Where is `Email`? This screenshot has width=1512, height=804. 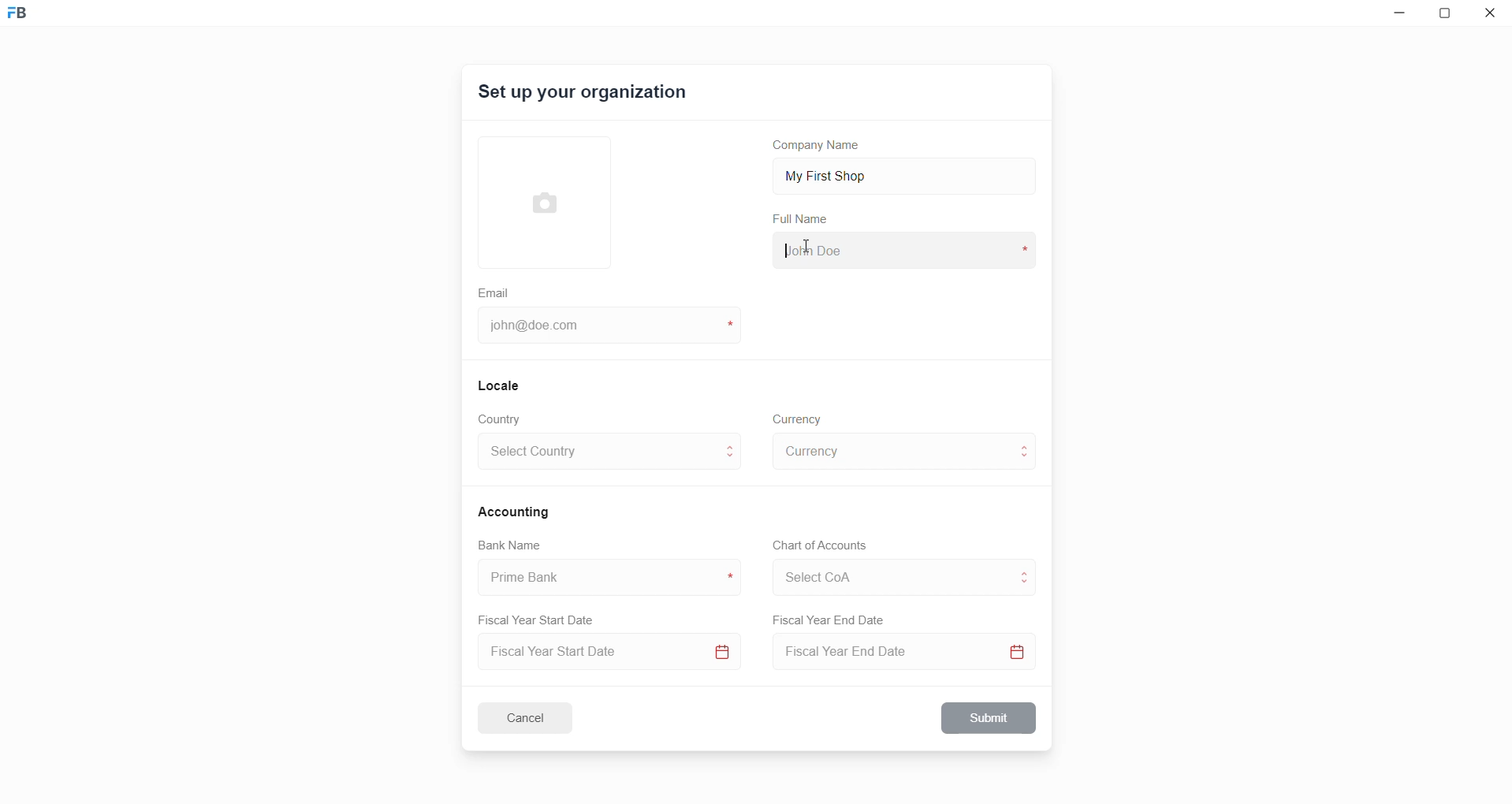
Email is located at coordinates (496, 291).